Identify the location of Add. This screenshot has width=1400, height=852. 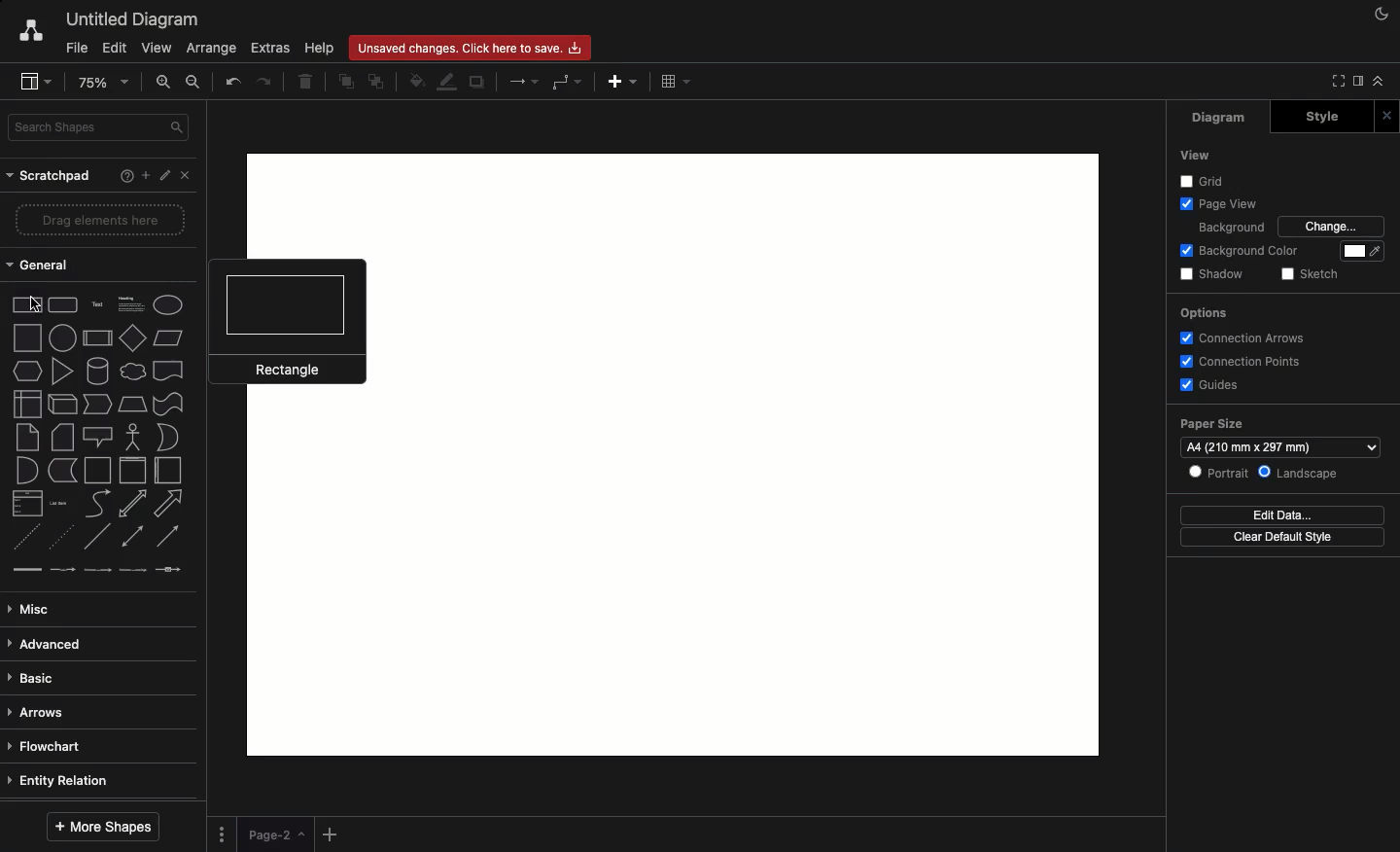
(144, 175).